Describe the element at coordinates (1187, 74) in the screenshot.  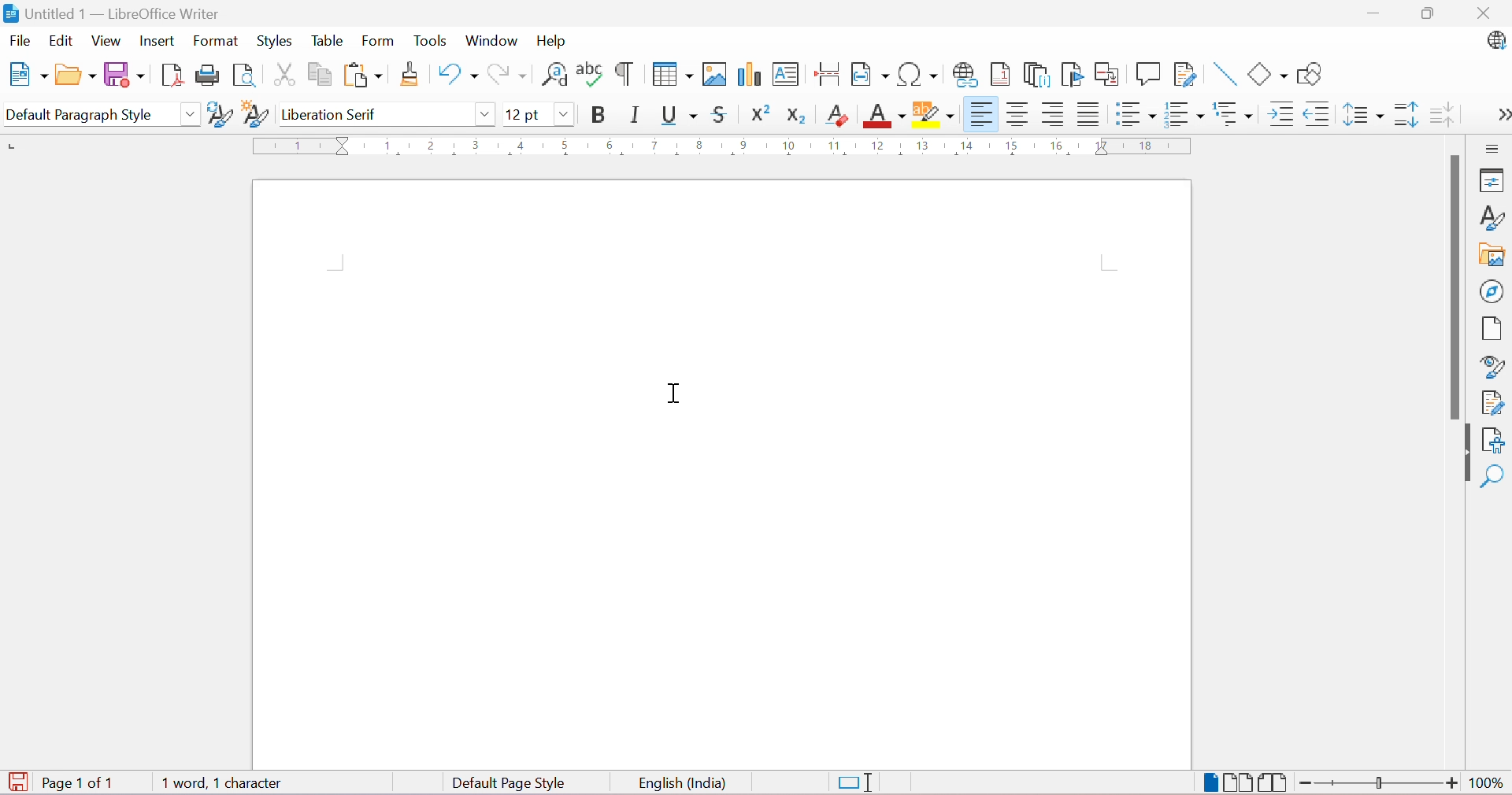
I see `Show Track Changes Functions` at that location.